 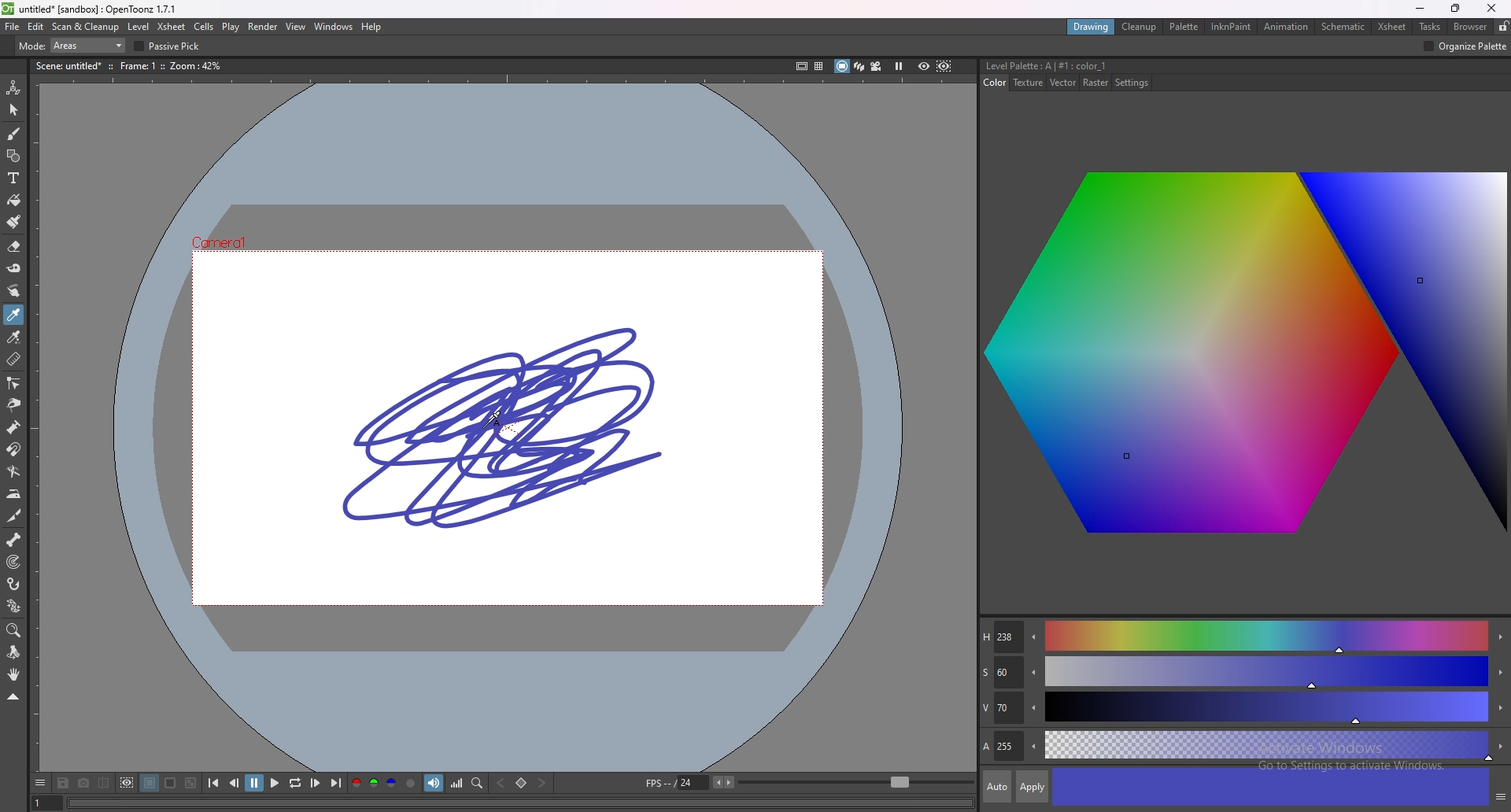 I want to click on animate tool, so click(x=13, y=88).